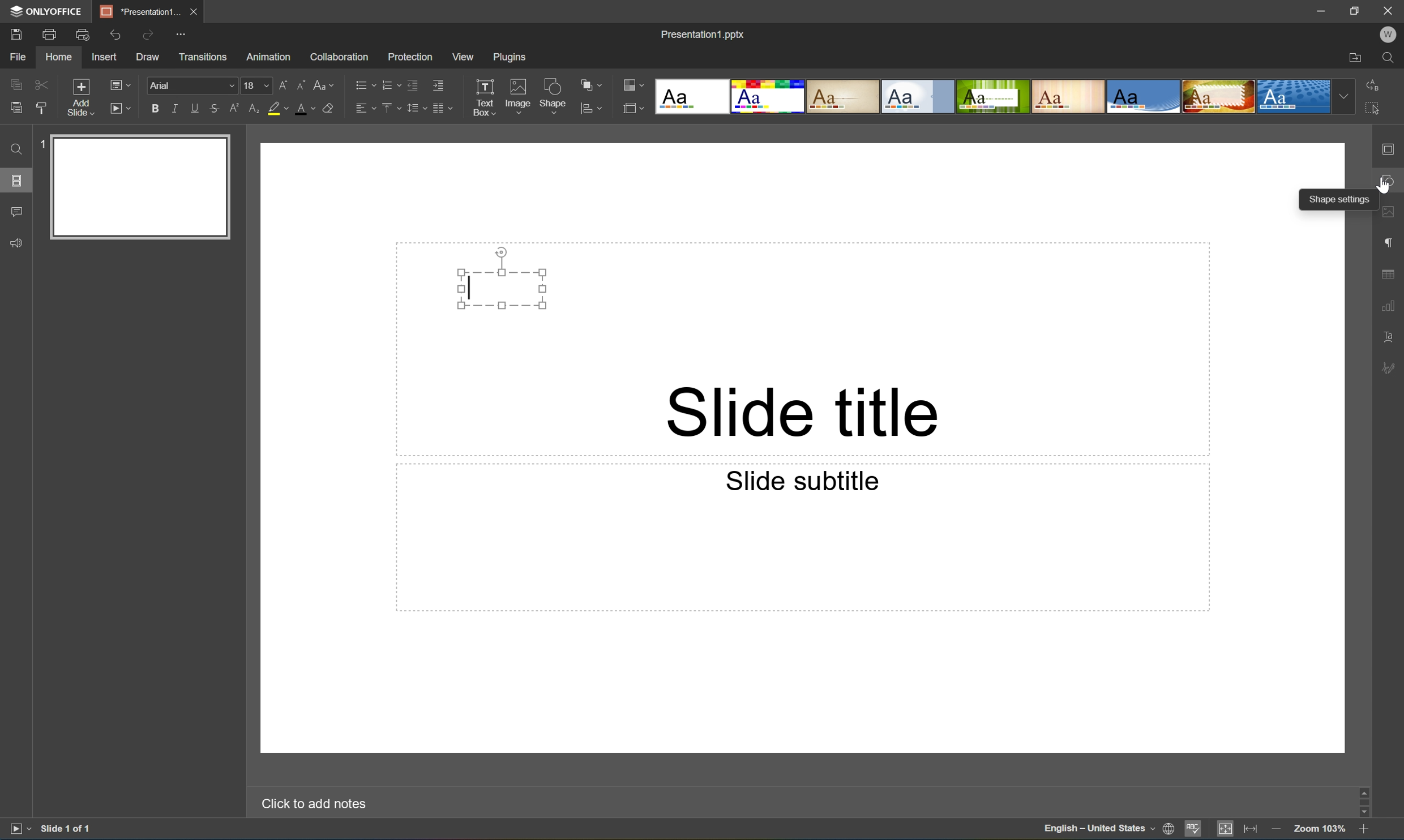  What do you see at coordinates (149, 36) in the screenshot?
I see `Redo` at bounding box center [149, 36].